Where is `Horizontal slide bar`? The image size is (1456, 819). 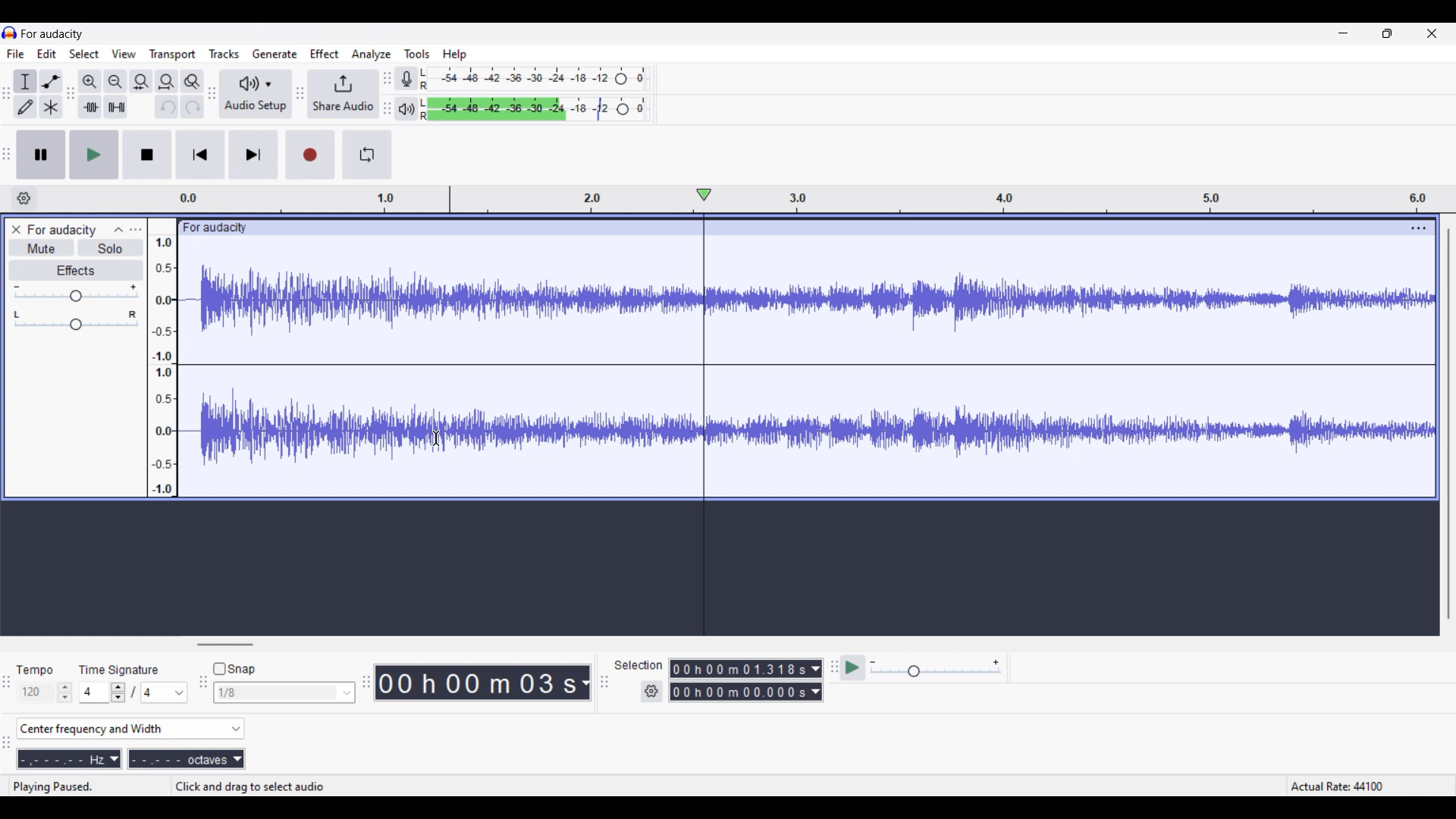 Horizontal slide bar is located at coordinates (226, 646).